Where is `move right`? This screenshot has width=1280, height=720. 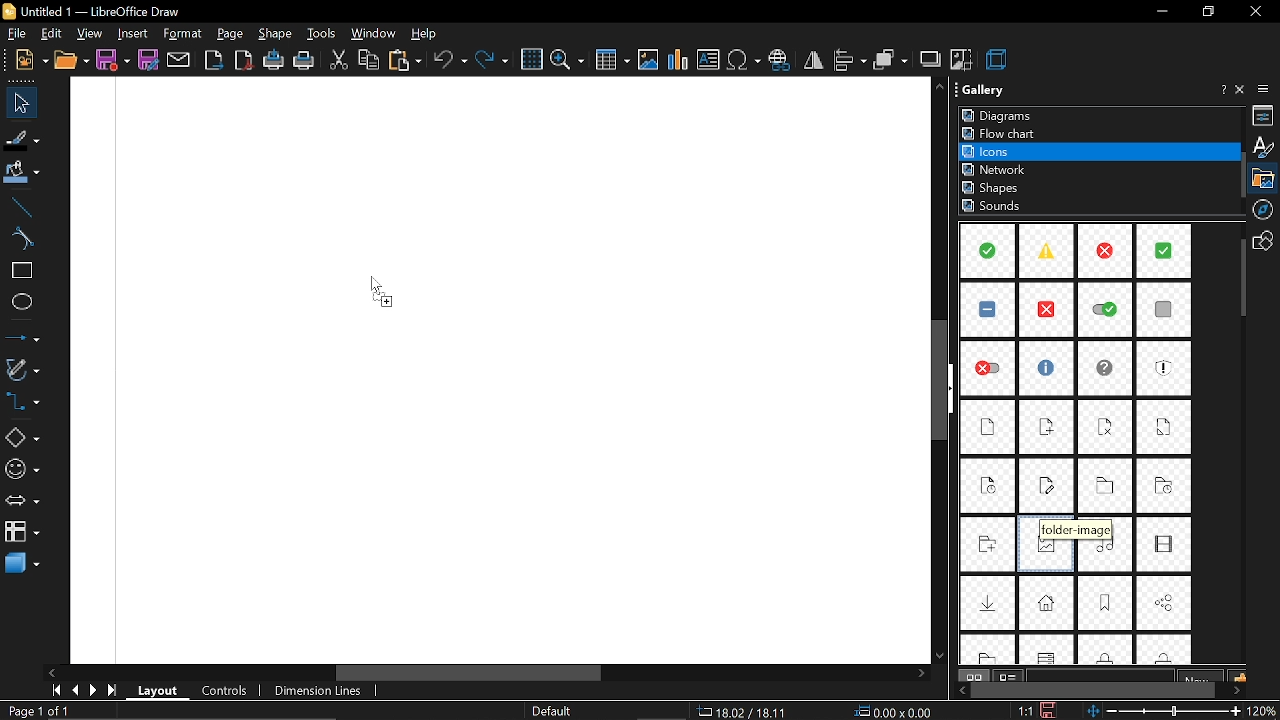 move right is located at coordinates (1237, 689).